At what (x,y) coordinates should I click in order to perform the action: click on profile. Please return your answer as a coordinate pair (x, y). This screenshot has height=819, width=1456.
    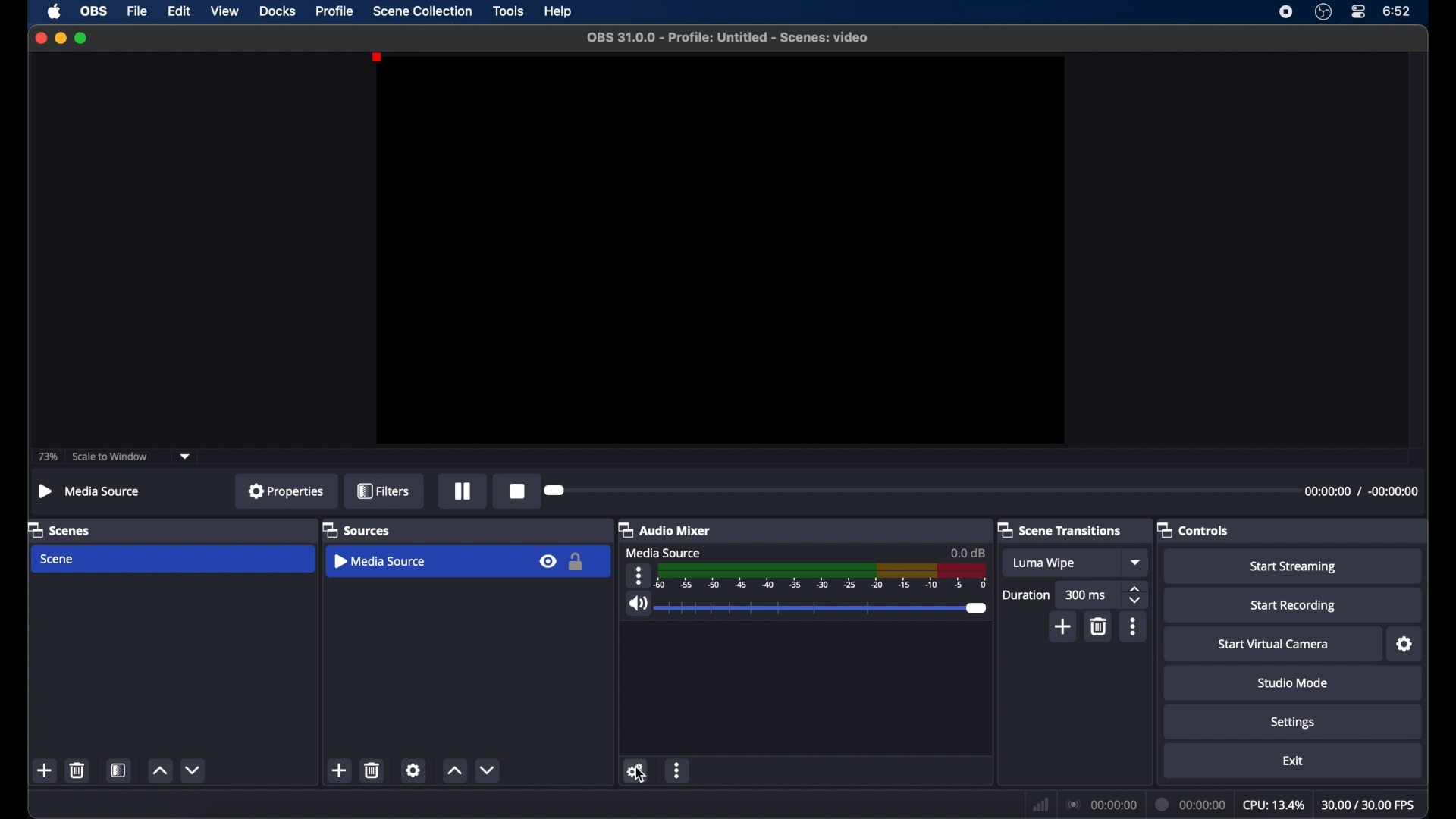
    Looking at the image, I should click on (336, 11).